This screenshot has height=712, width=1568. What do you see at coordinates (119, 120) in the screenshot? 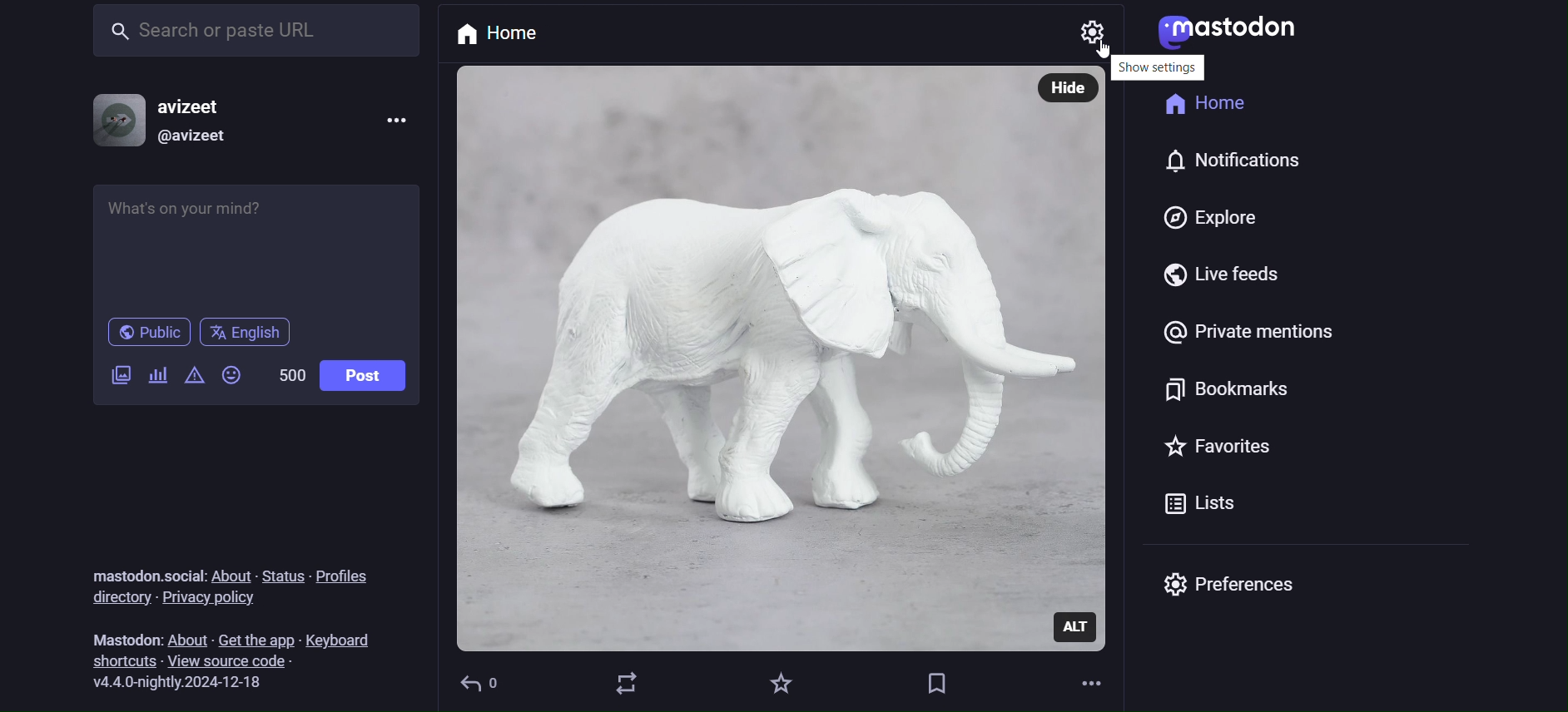
I see `display picture` at bounding box center [119, 120].